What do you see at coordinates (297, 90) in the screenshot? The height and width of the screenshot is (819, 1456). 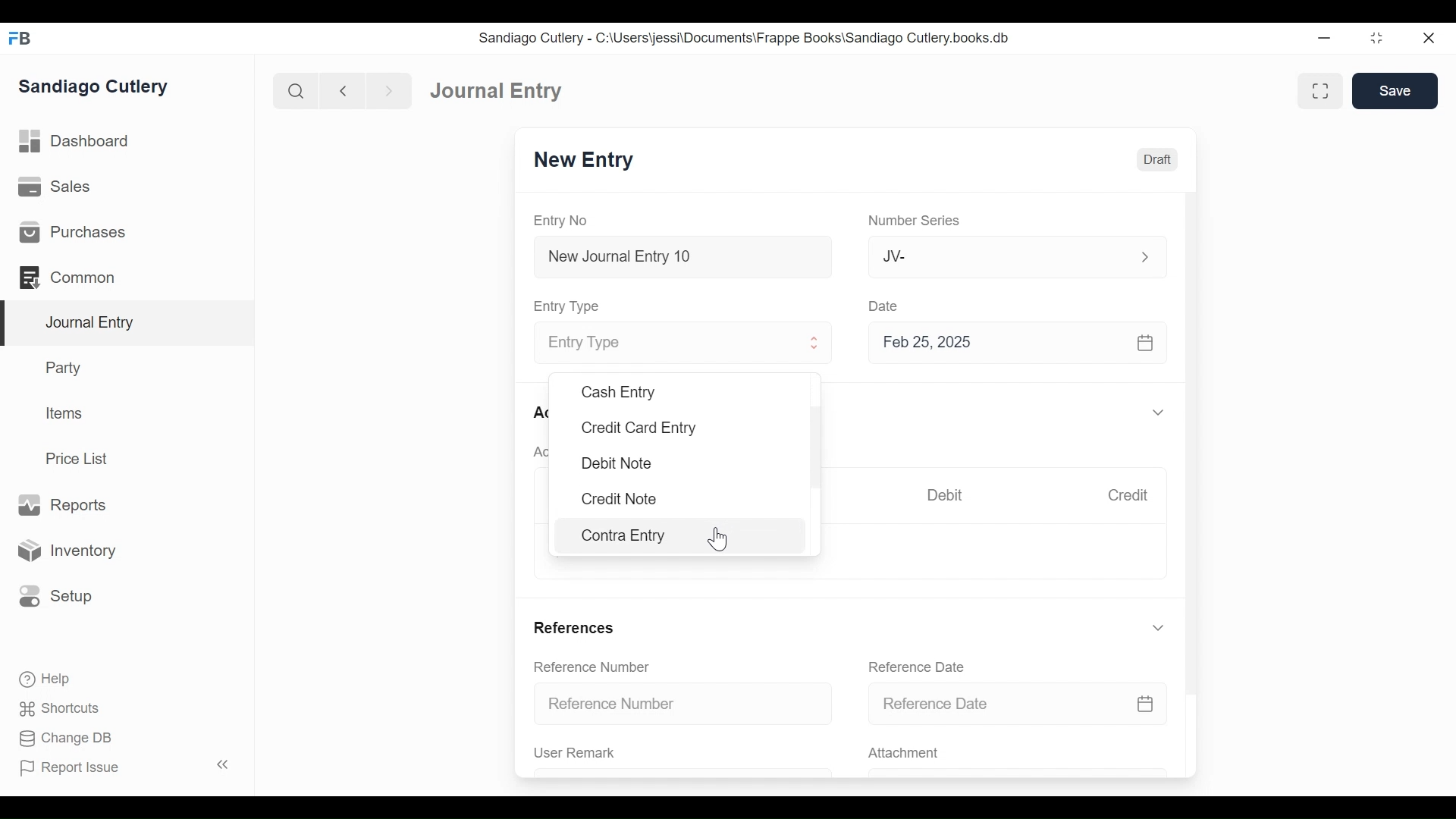 I see `Search` at bounding box center [297, 90].